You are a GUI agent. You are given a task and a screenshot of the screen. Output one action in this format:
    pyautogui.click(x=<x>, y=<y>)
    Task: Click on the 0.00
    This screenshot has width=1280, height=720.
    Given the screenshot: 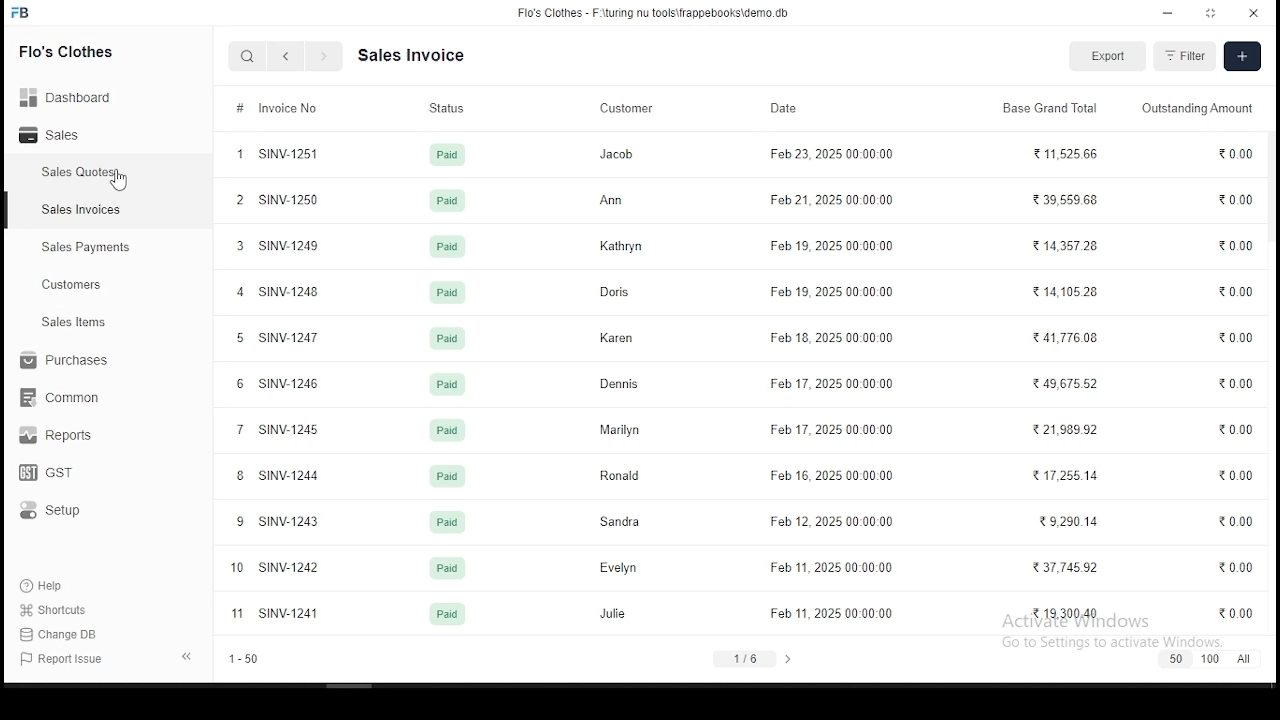 What is the action you would take?
    pyautogui.click(x=1233, y=243)
    